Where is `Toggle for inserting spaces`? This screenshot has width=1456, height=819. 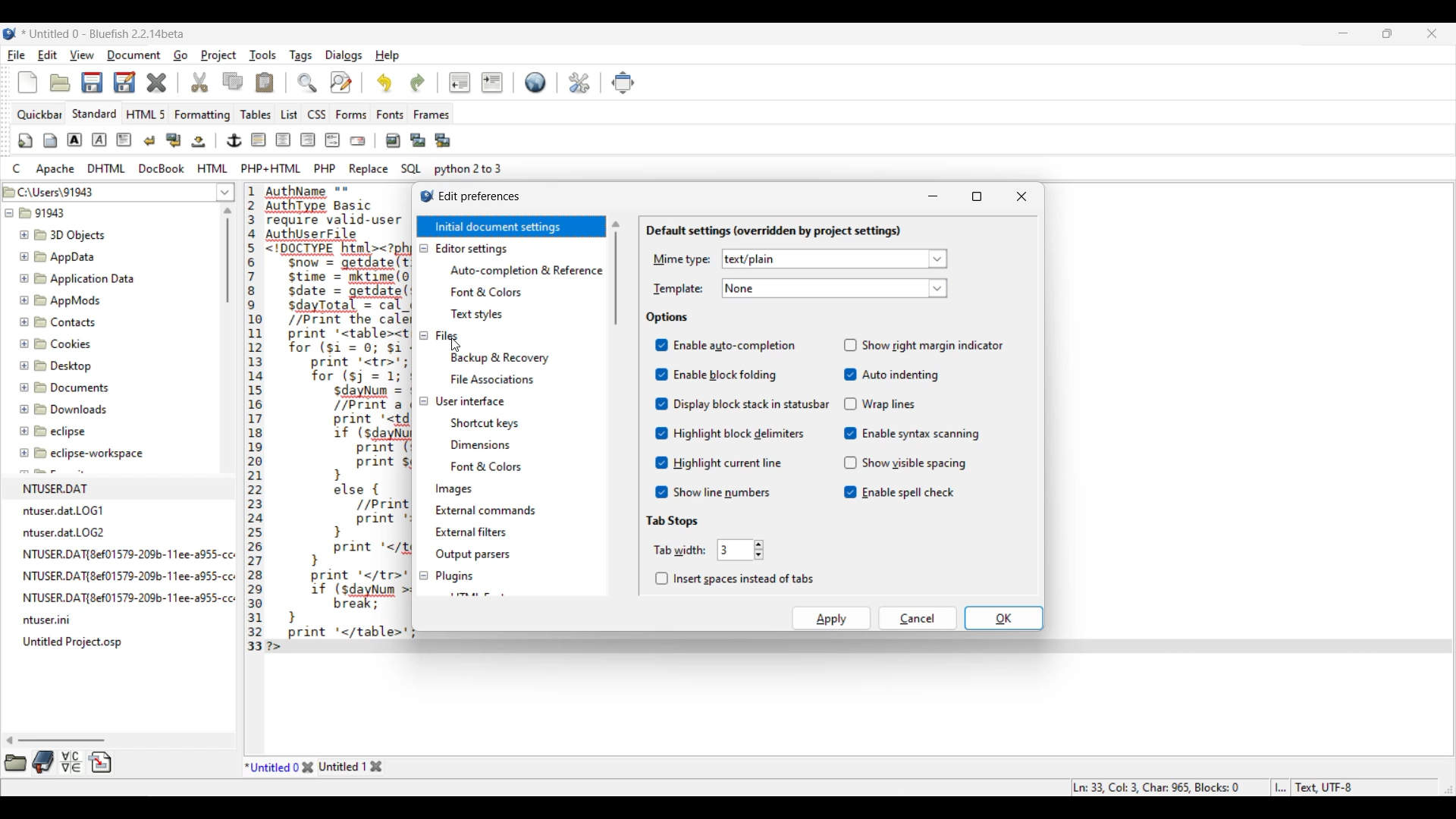
Toggle for inserting spaces is located at coordinates (734, 579).